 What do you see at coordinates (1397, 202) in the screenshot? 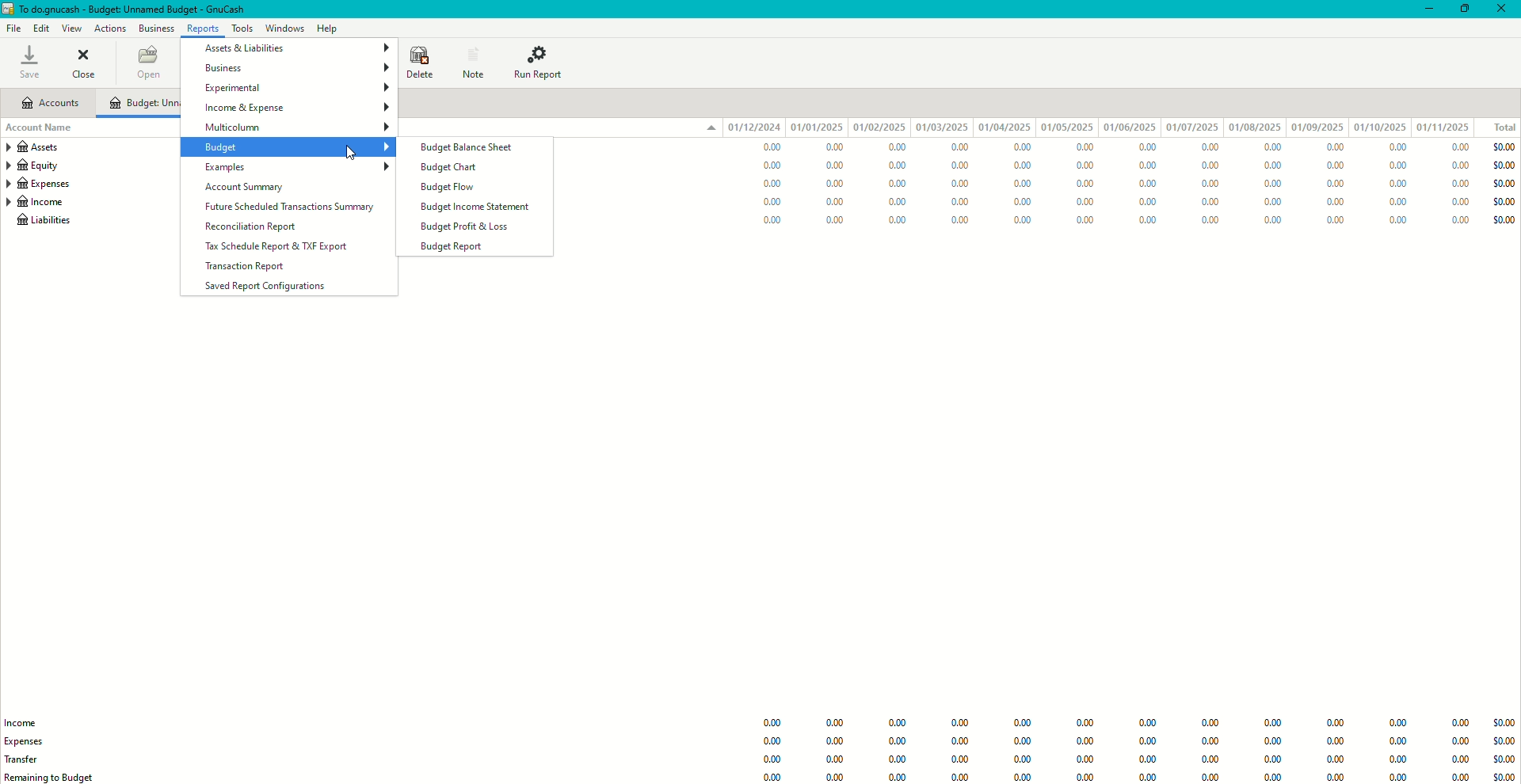
I see `0.00` at bounding box center [1397, 202].